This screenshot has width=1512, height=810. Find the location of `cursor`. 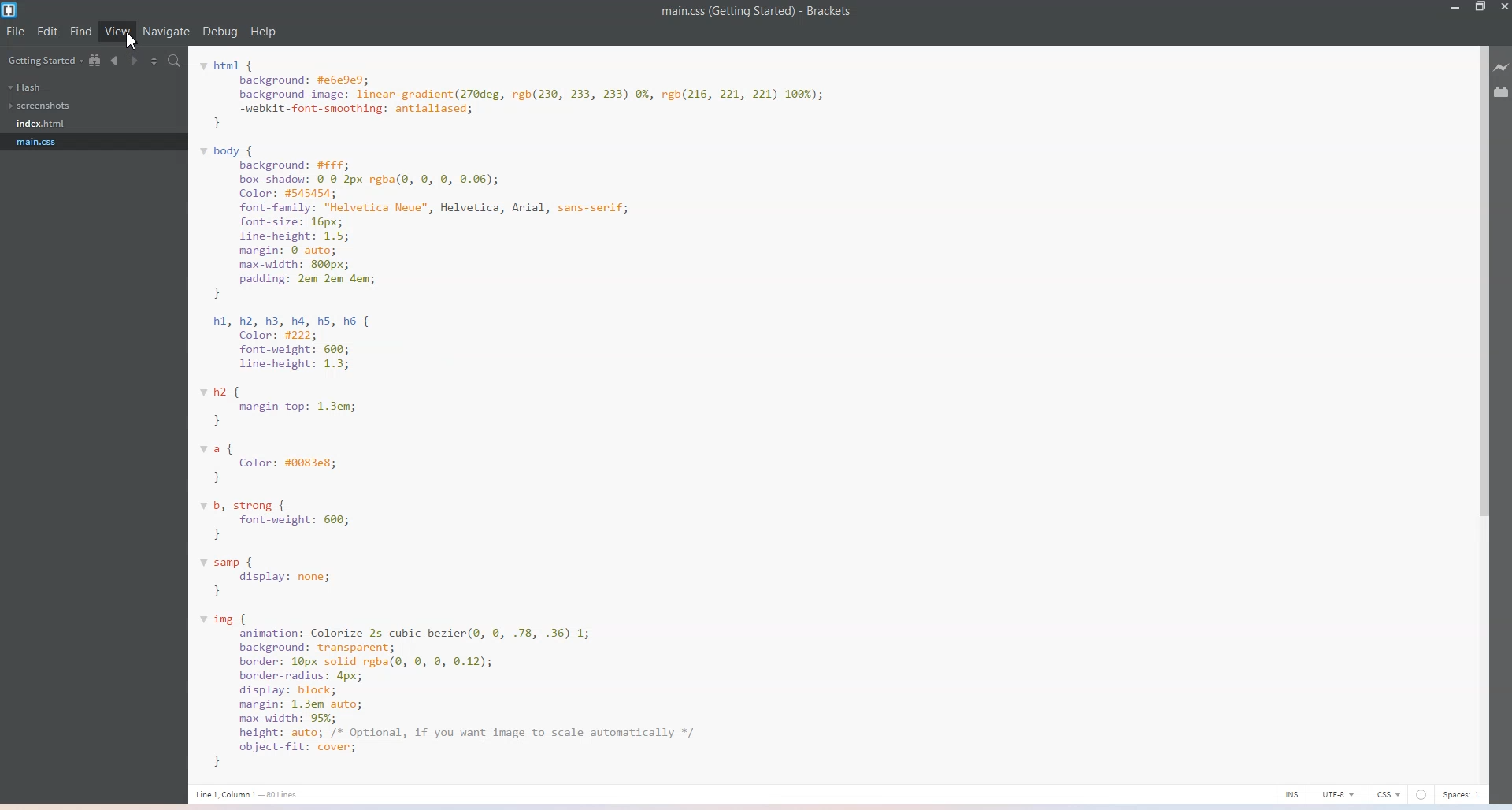

cursor is located at coordinates (134, 41).